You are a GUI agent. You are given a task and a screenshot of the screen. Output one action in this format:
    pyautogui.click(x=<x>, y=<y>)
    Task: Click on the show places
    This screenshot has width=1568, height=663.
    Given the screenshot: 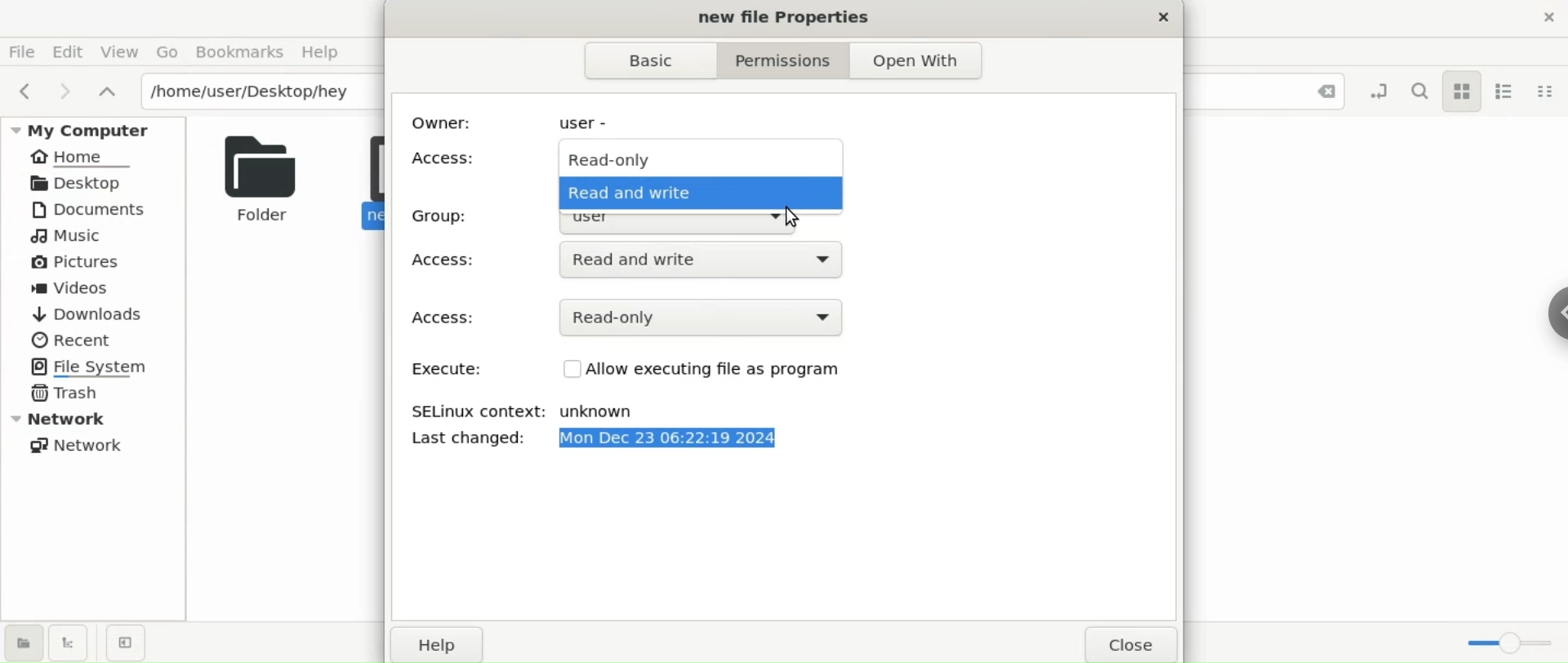 What is the action you would take?
    pyautogui.click(x=23, y=642)
    